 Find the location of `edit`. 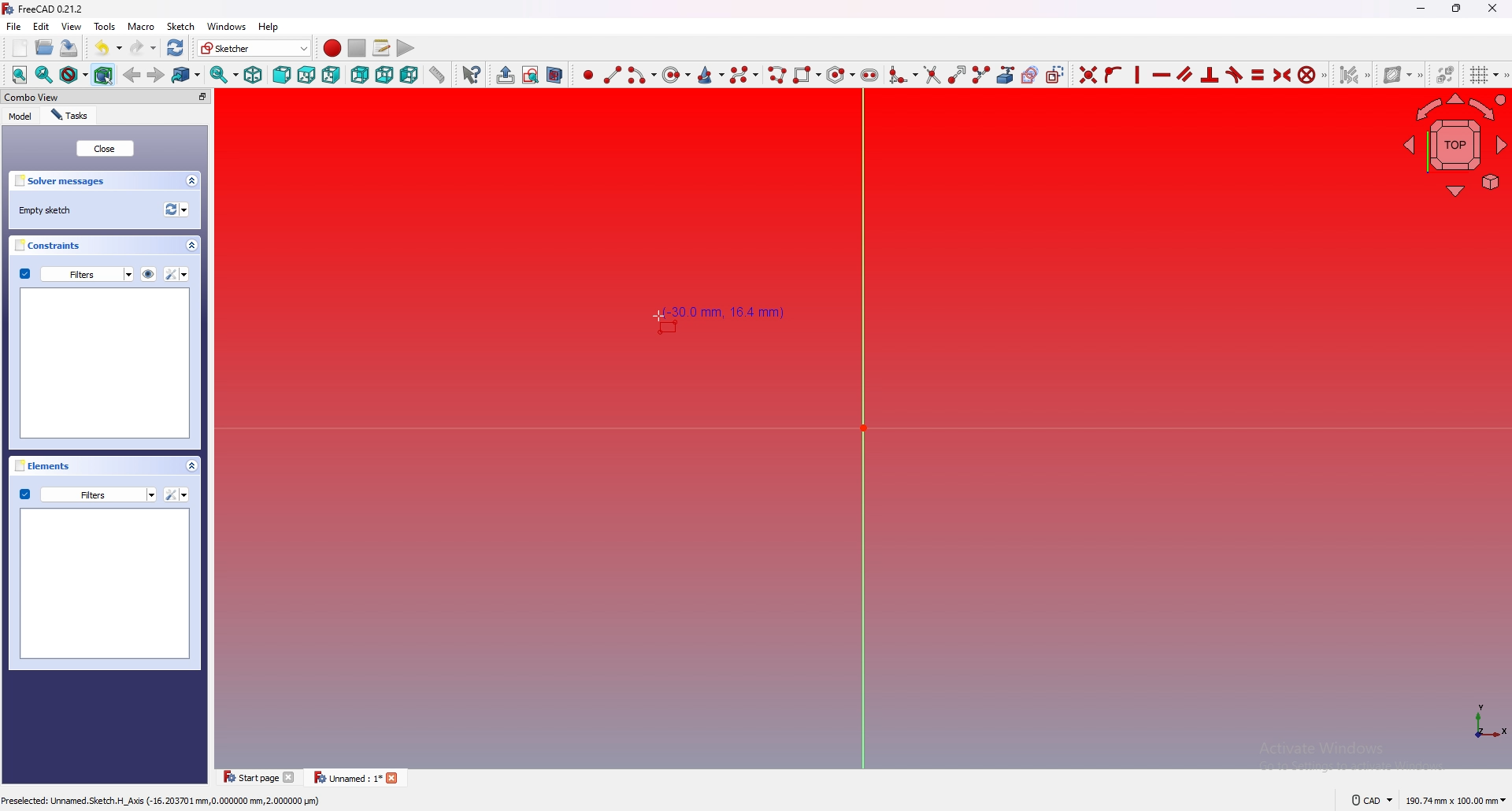

edit is located at coordinates (41, 26).